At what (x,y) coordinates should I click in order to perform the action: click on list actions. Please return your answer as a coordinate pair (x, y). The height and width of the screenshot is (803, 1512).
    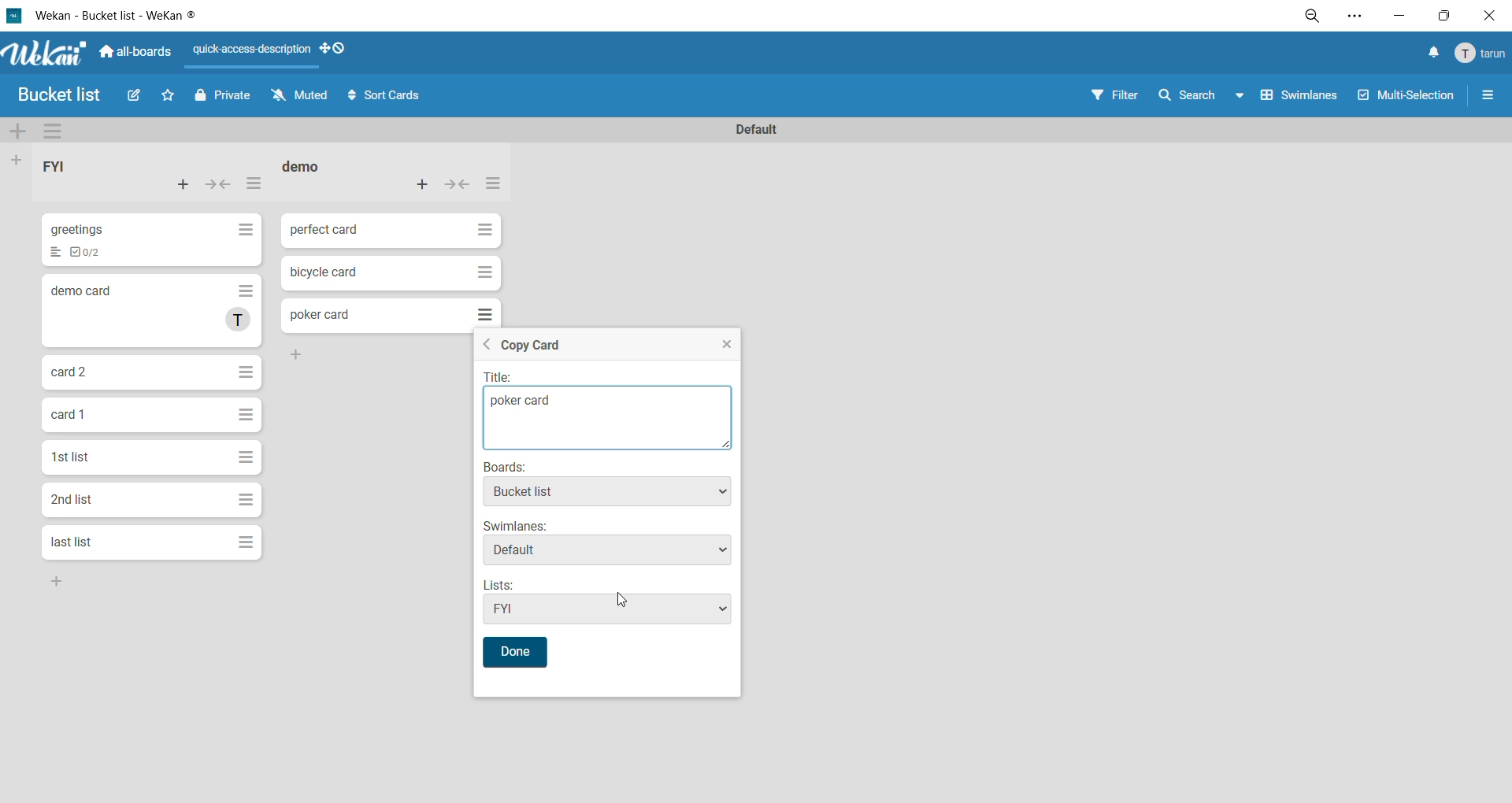
    Looking at the image, I should click on (254, 187).